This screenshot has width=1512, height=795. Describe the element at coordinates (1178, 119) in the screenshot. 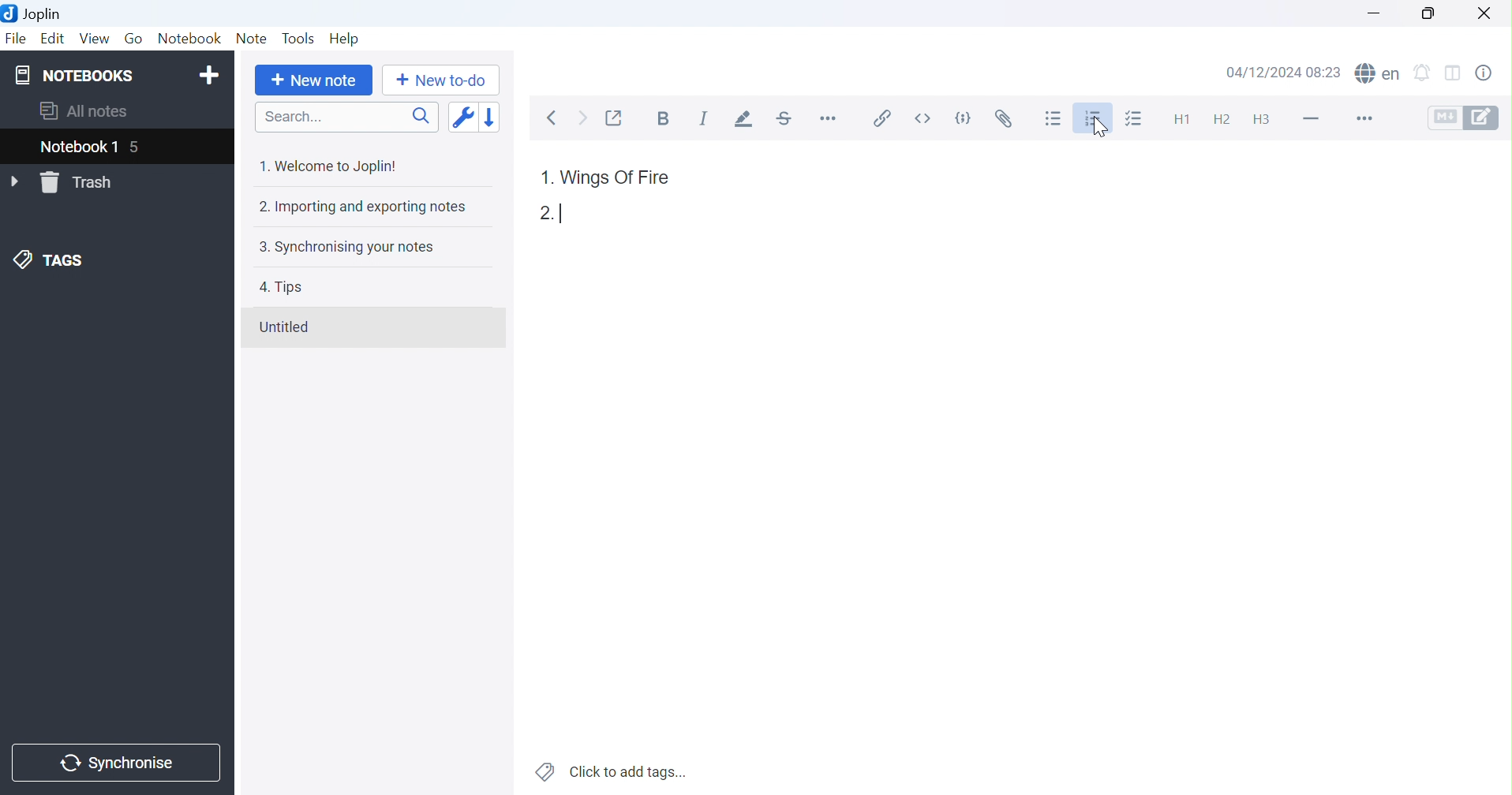

I see `Heading 1` at that location.